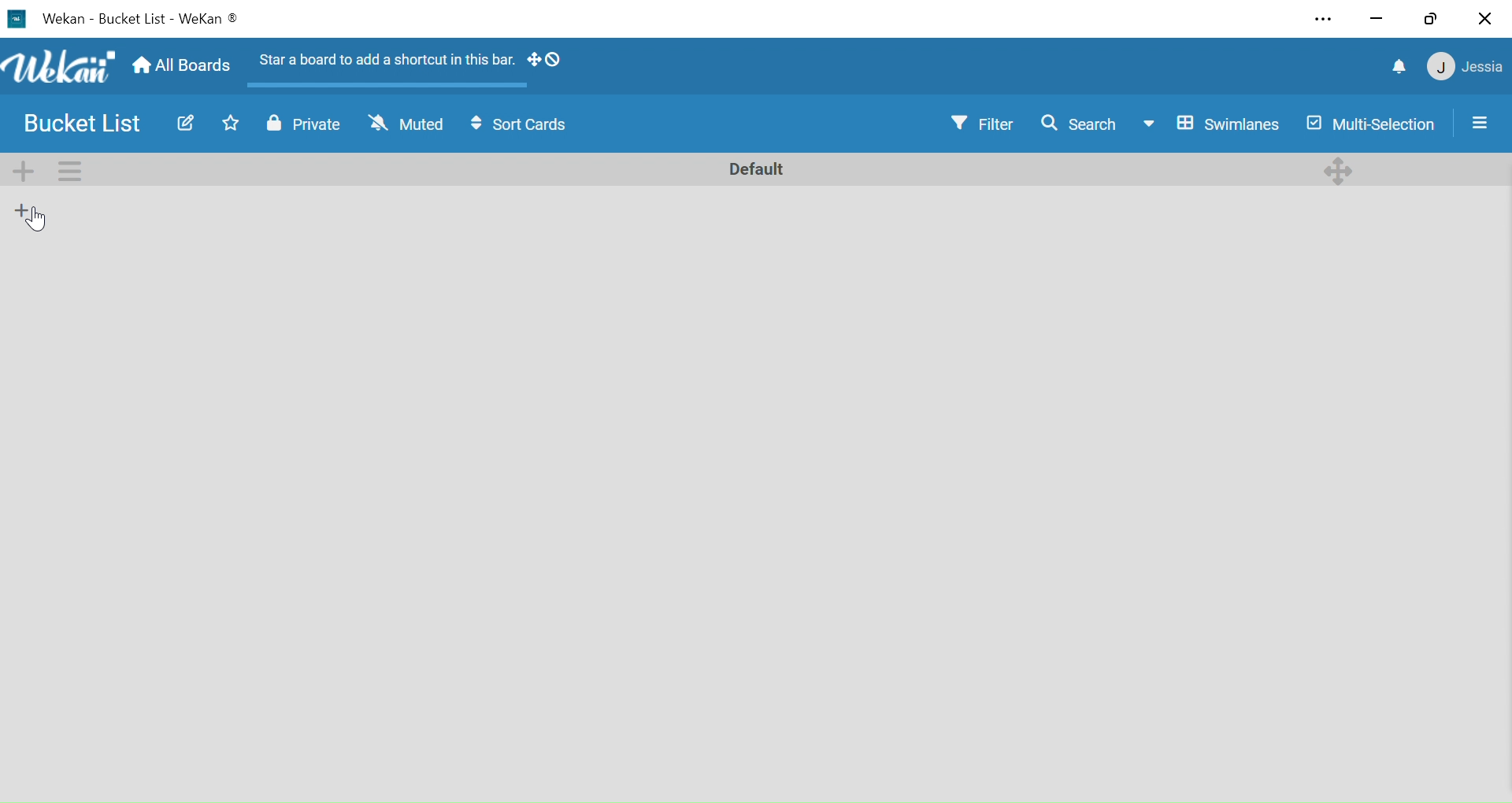 The image size is (1512, 803). What do you see at coordinates (1440, 68) in the screenshot?
I see `Avatar` at bounding box center [1440, 68].